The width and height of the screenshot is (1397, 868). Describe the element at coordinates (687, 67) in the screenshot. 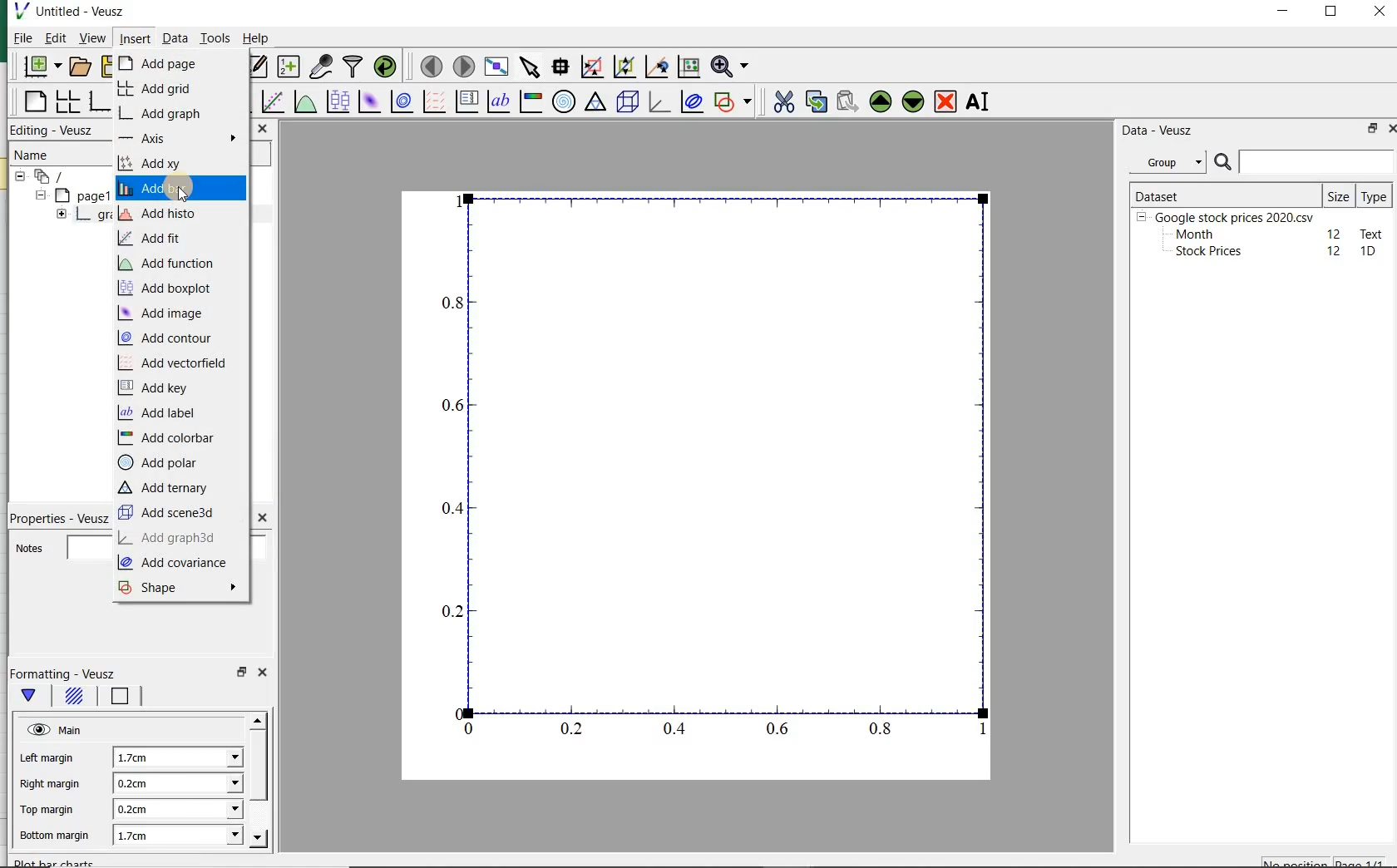

I see `click to reset graph axes` at that location.